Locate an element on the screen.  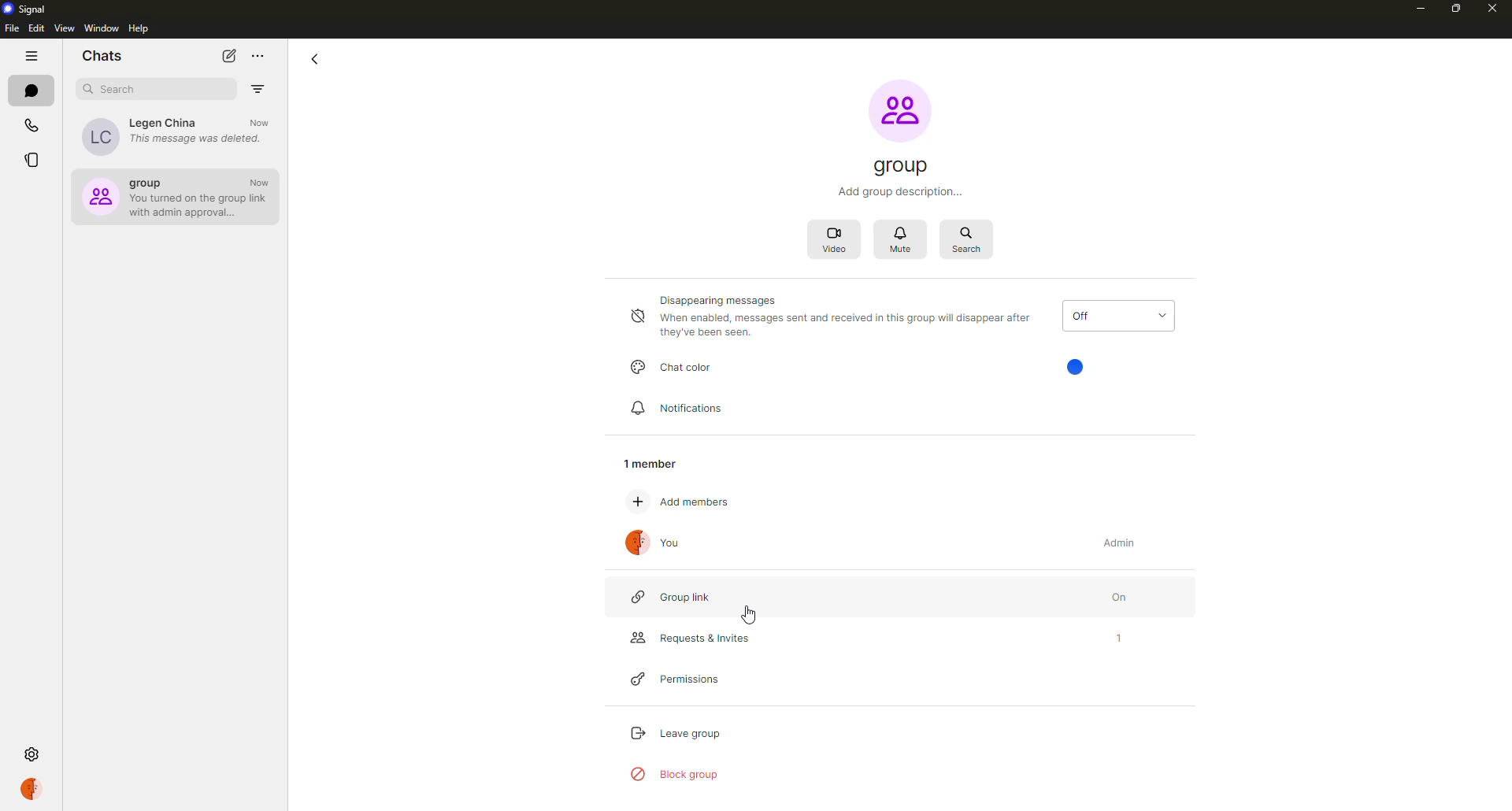
close is located at coordinates (1495, 9).